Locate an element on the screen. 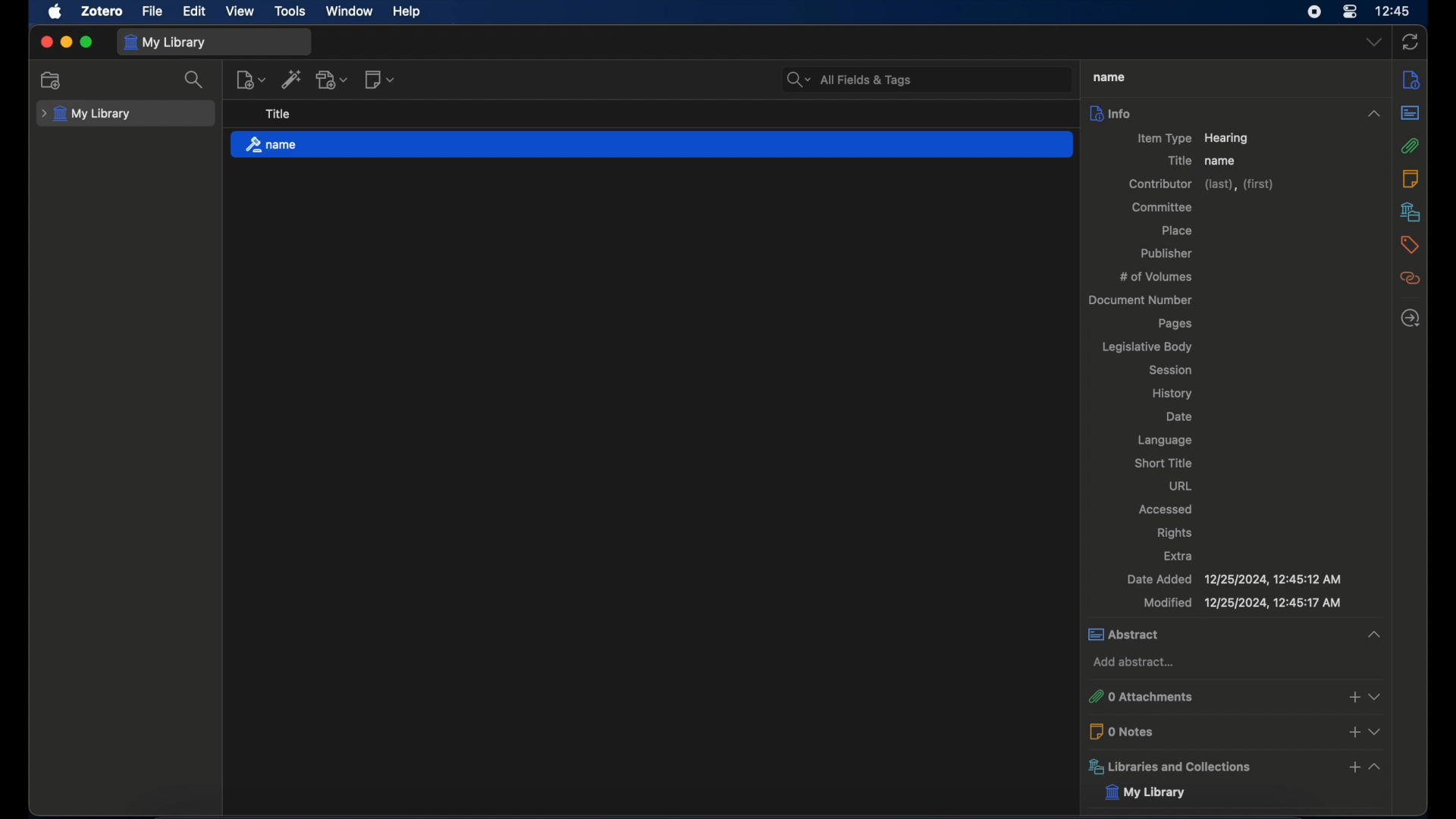  attachments is located at coordinates (1411, 146).